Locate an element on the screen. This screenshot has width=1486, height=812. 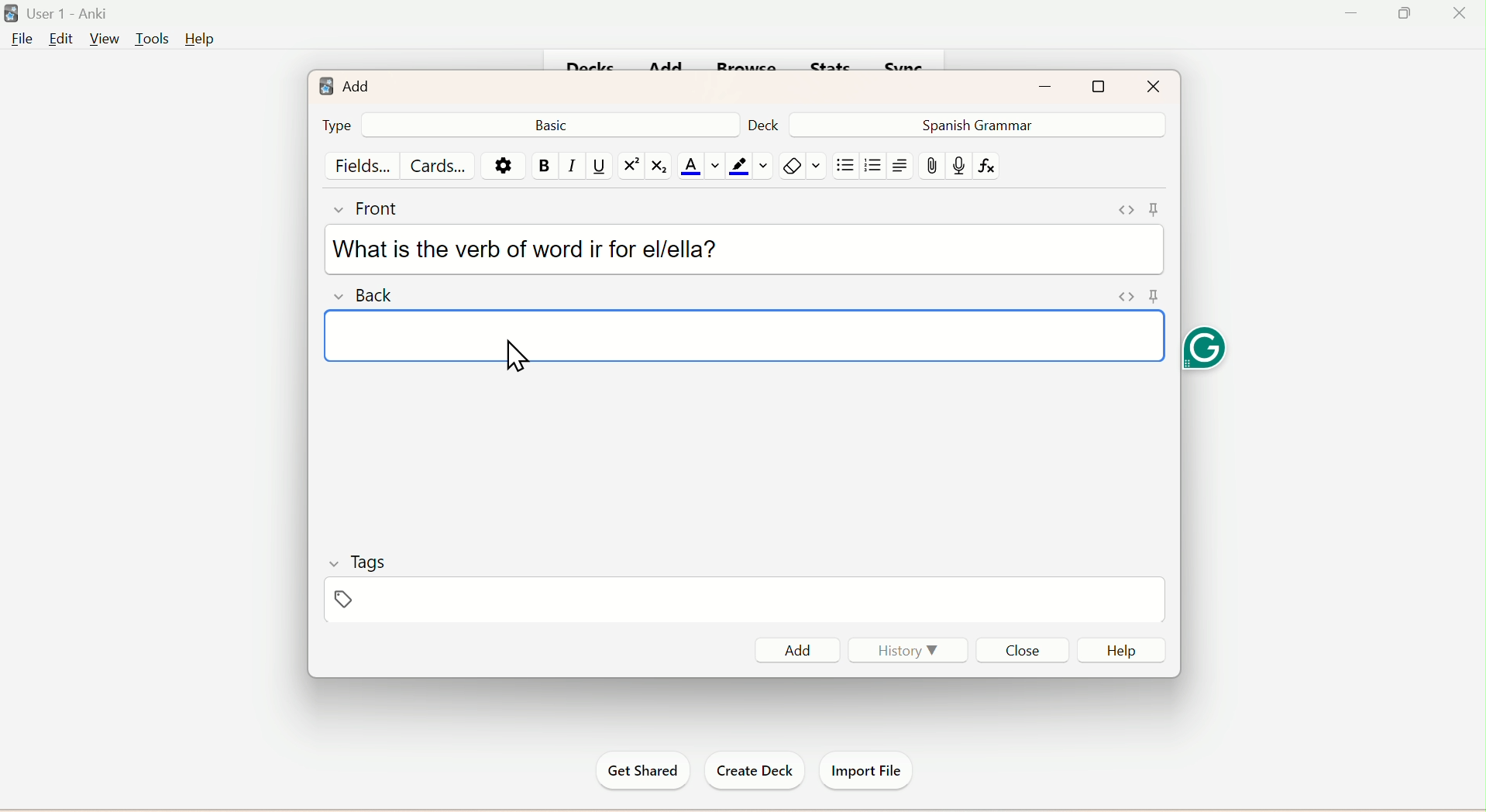
Get Started is located at coordinates (645, 771).